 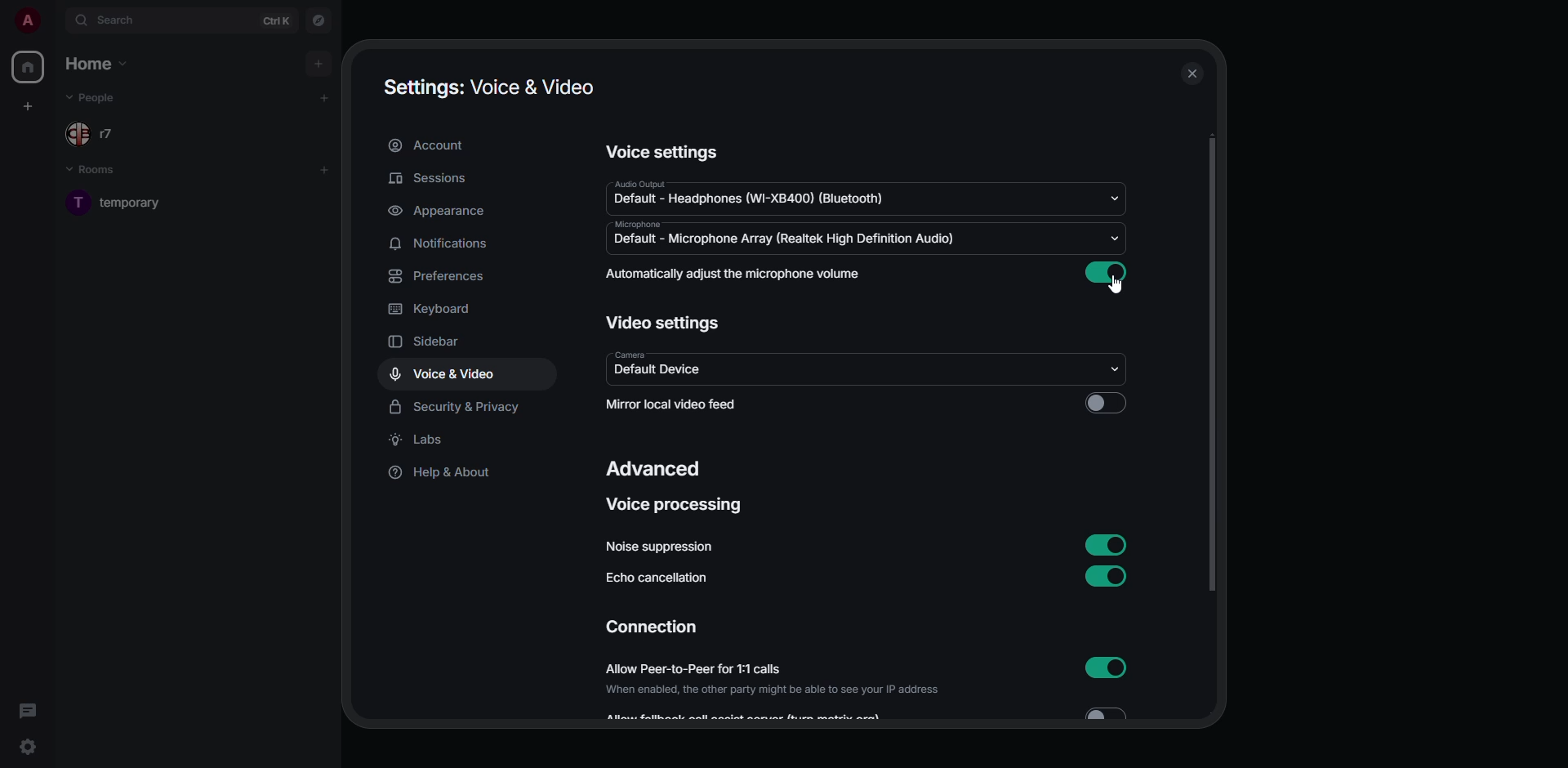 What do you see at coordinates (444, 374) in the screenshot?
I see `voice & video` at bounding box center [444, 374].